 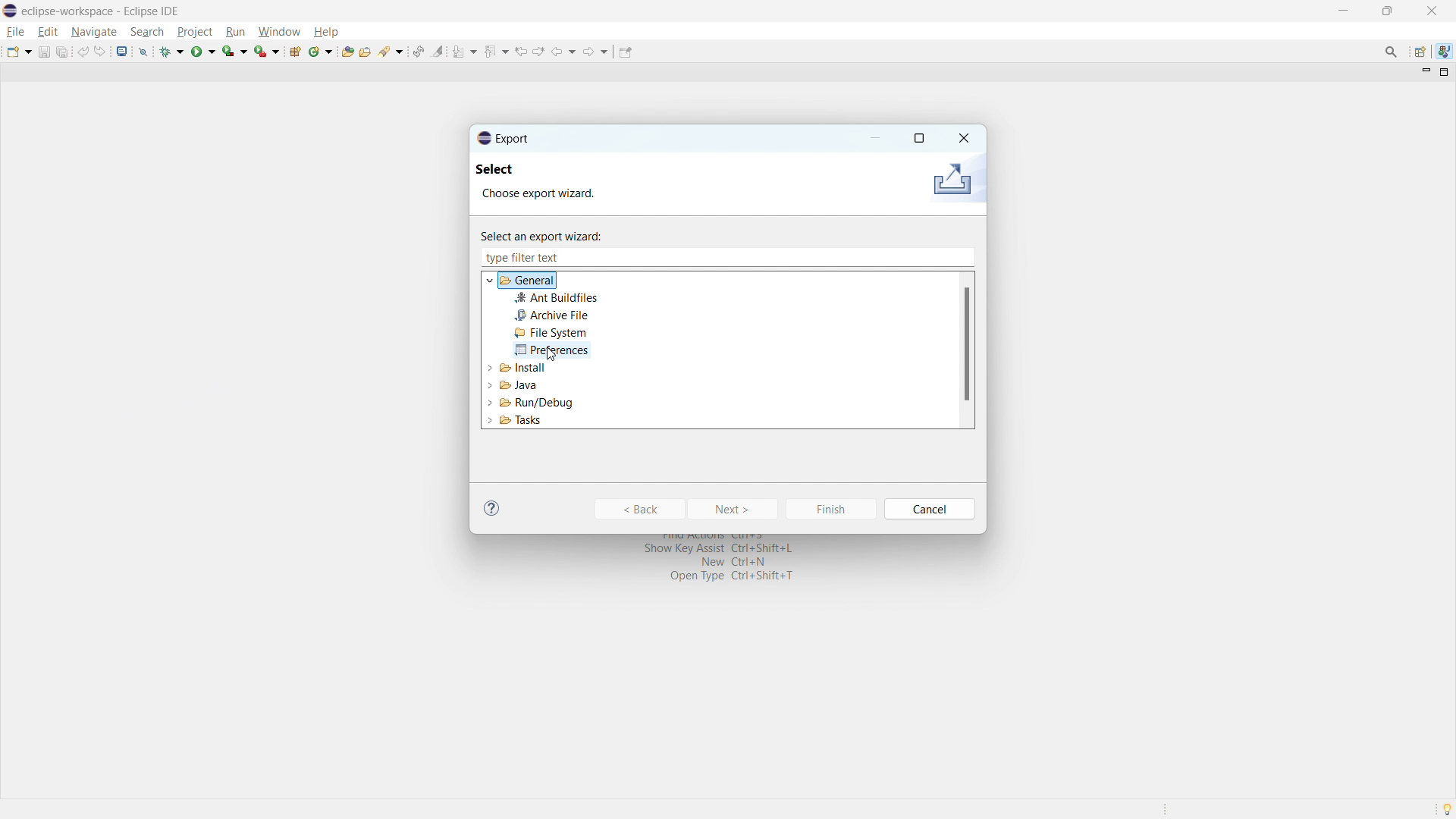 I want to click on Cursor, so click(x=560, y=355).